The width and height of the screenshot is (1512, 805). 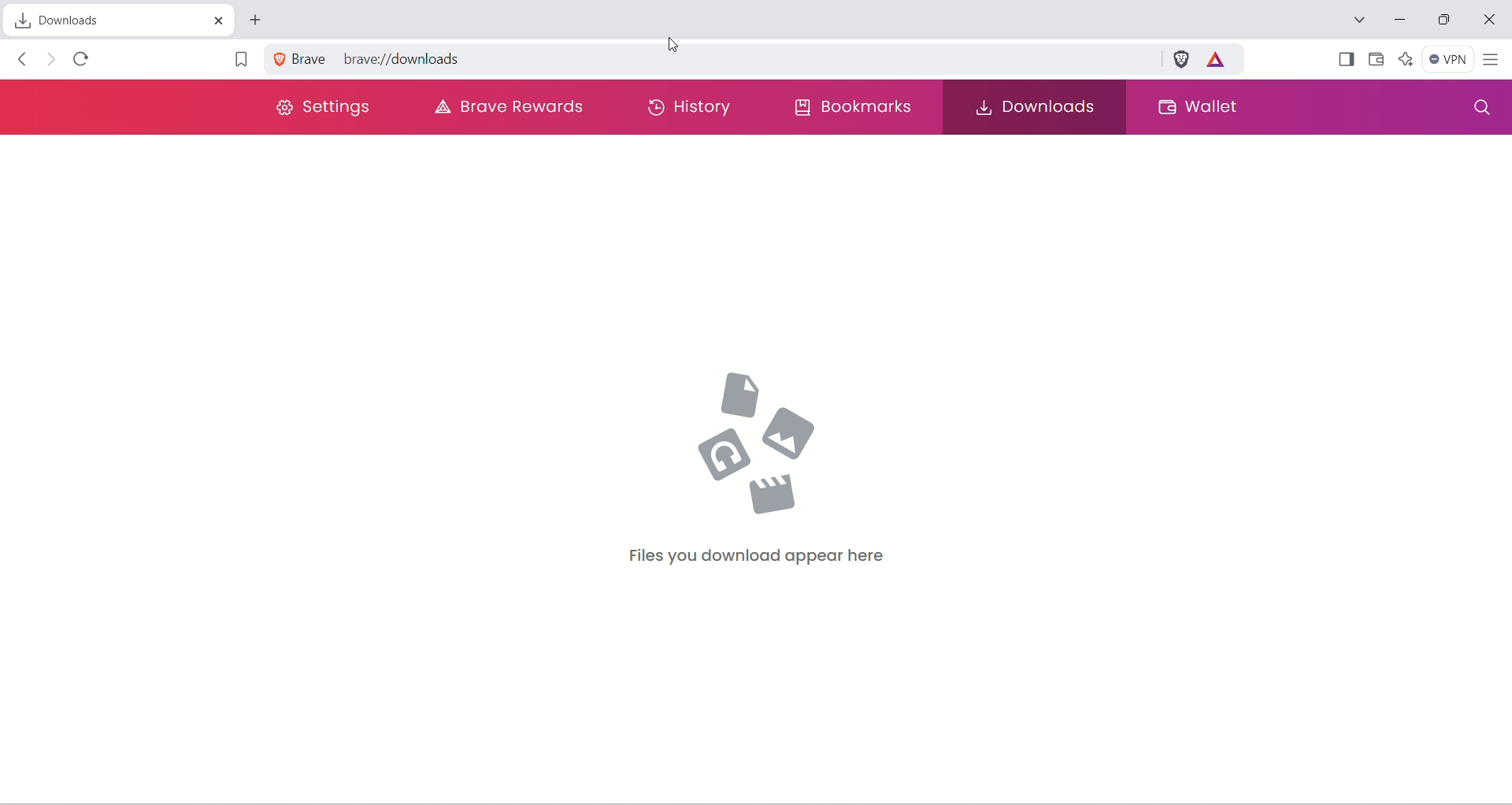 What do you see at coordinates (1411, 61) in the screenshot?
I see `leo AI` at bounding box center [1411, 61].